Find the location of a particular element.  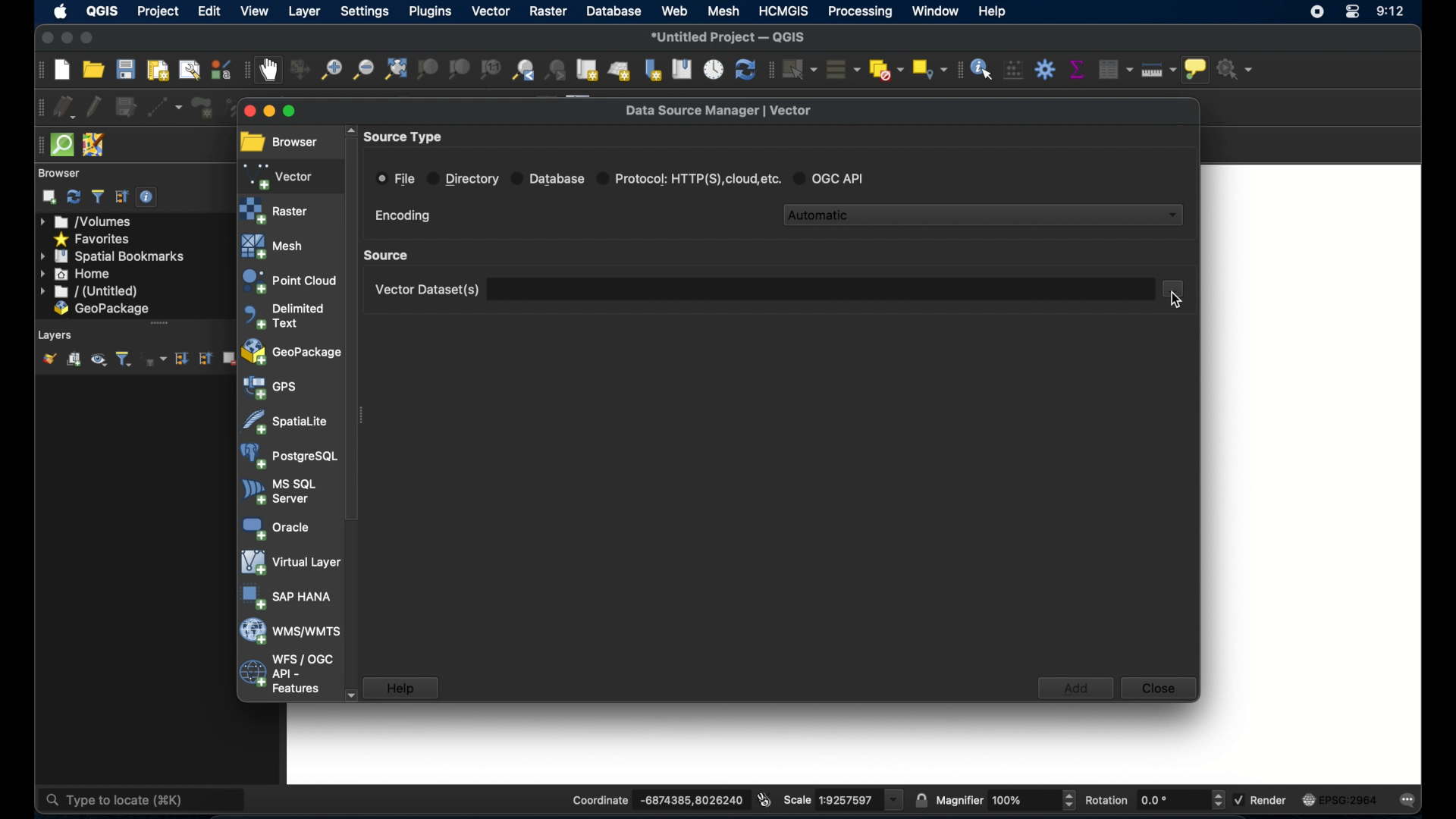

filter legend is located at coordinates (126, 359).